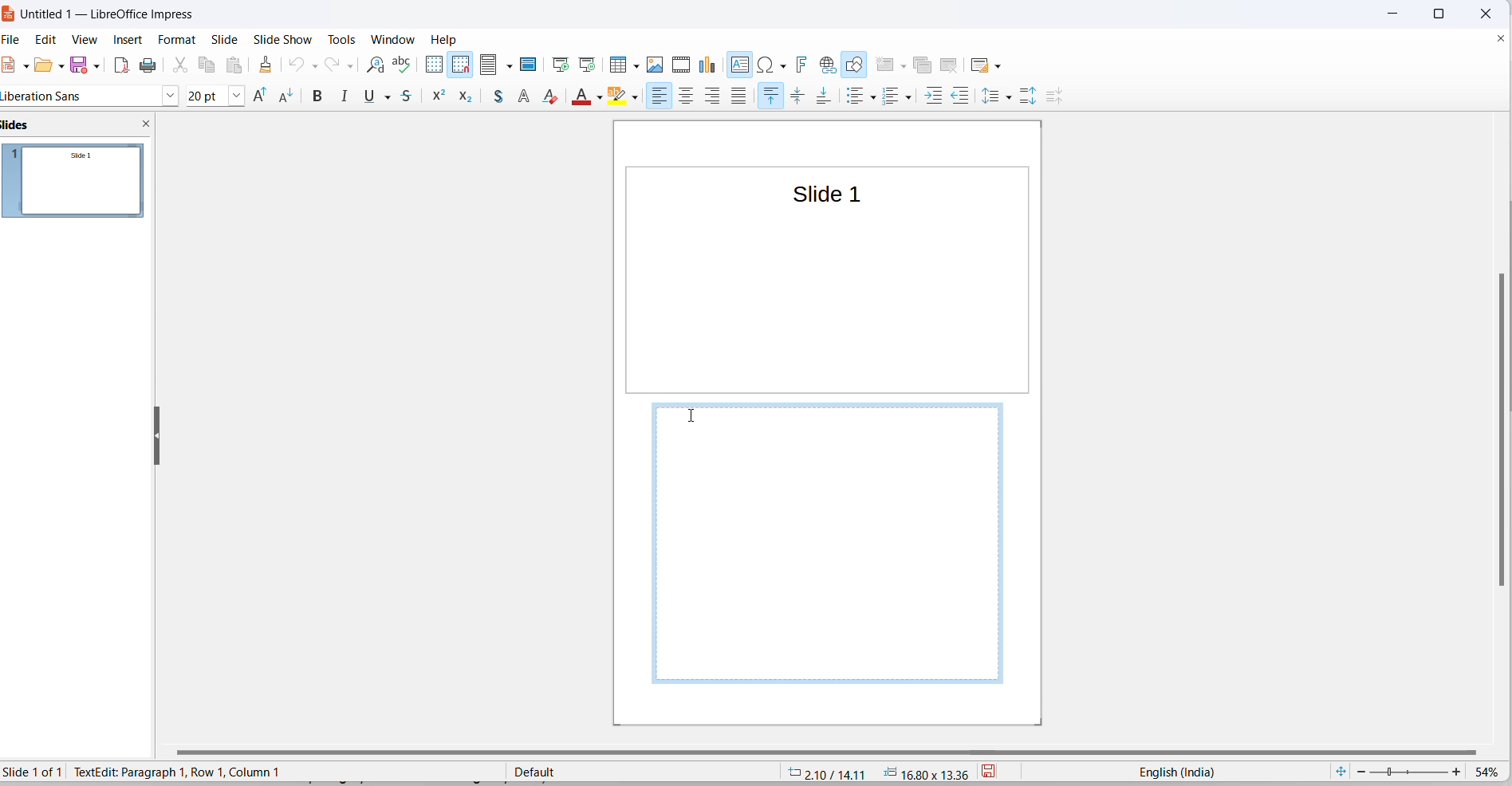 This screenshot has width=1512, height=786. I want to click on current slide, so click(37, 772).